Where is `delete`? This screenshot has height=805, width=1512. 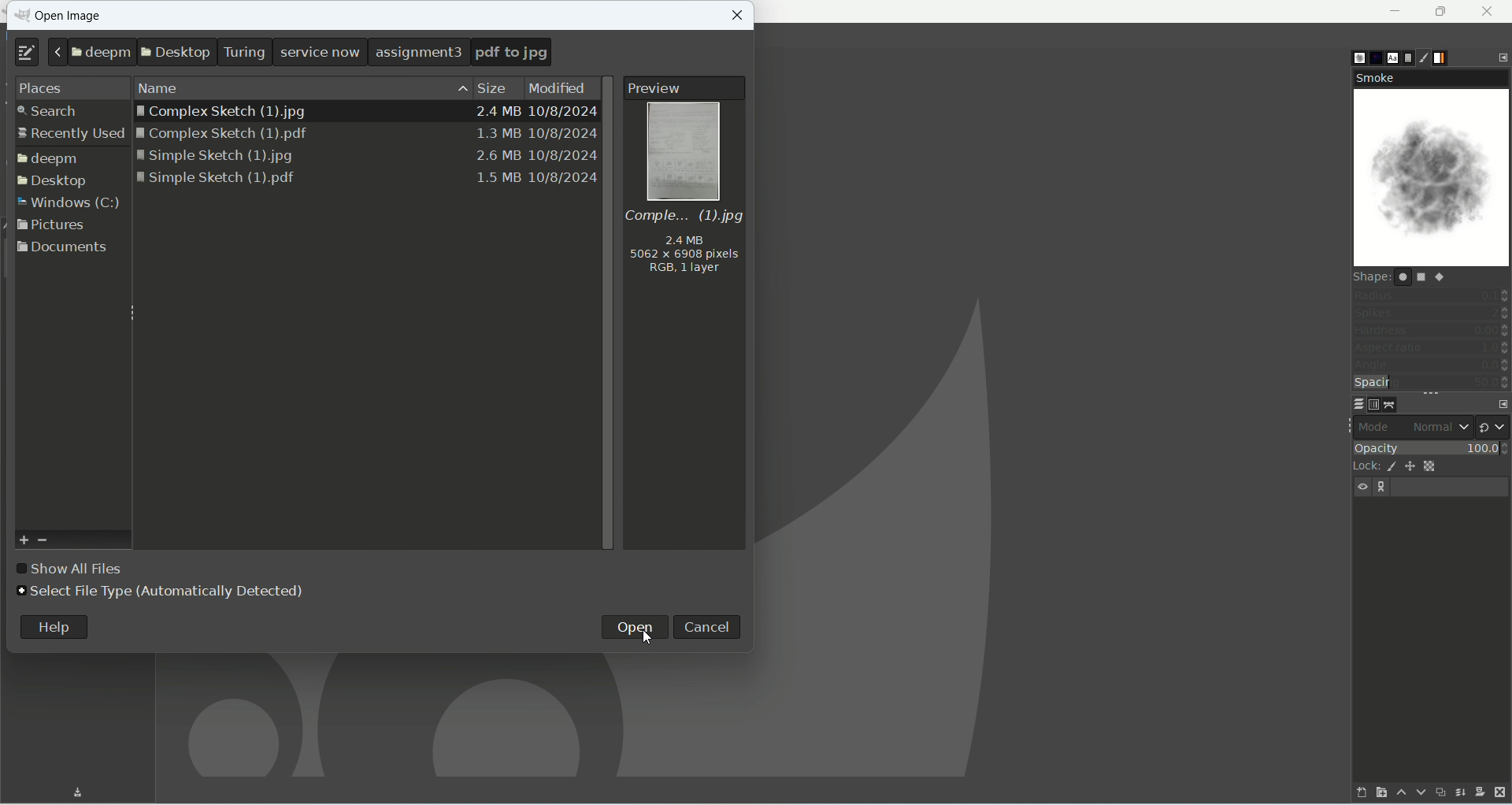
delete is located at coordinates (1499, 792).